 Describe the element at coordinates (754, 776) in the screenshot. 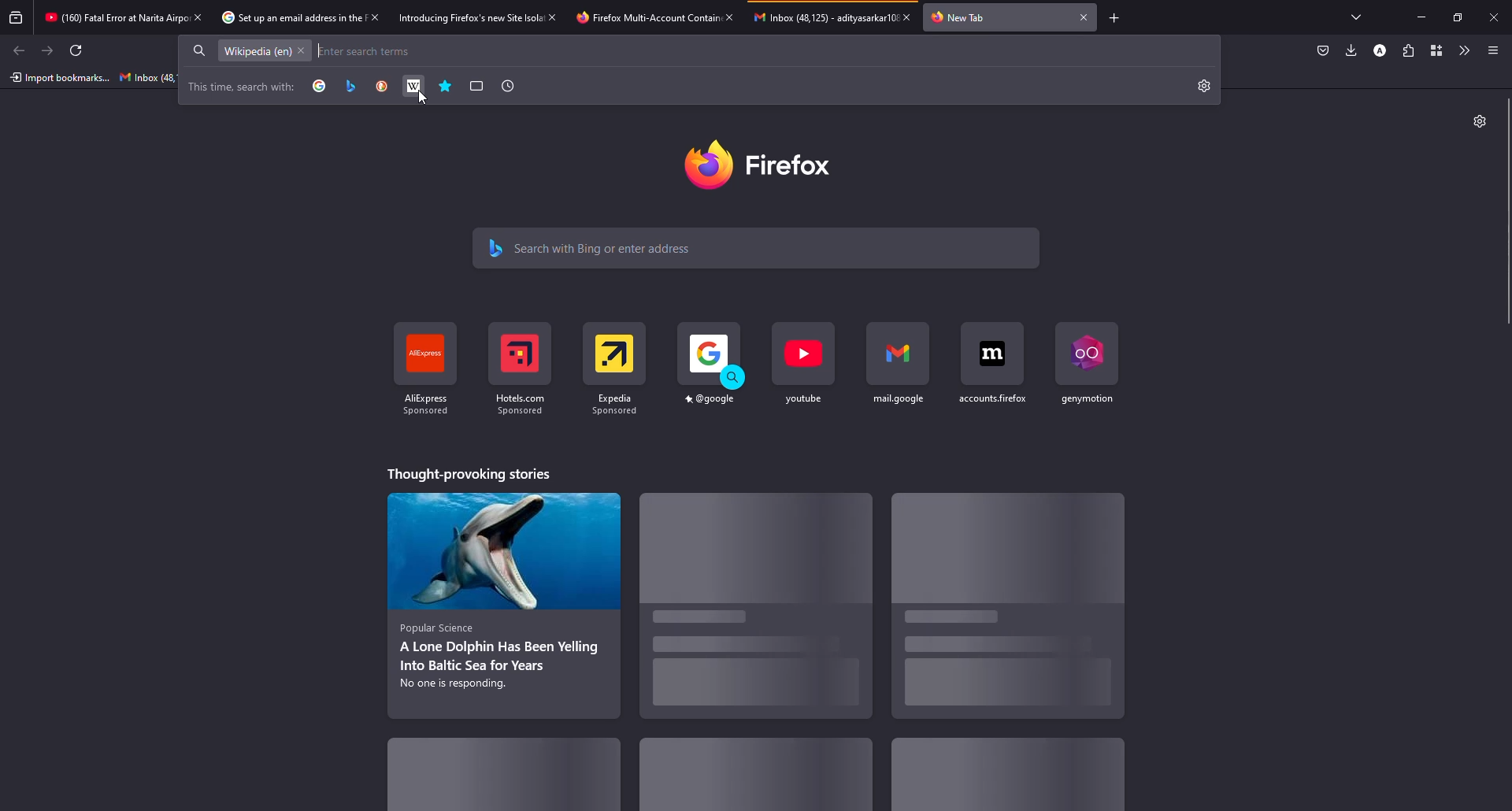

I see `stories` at that location.